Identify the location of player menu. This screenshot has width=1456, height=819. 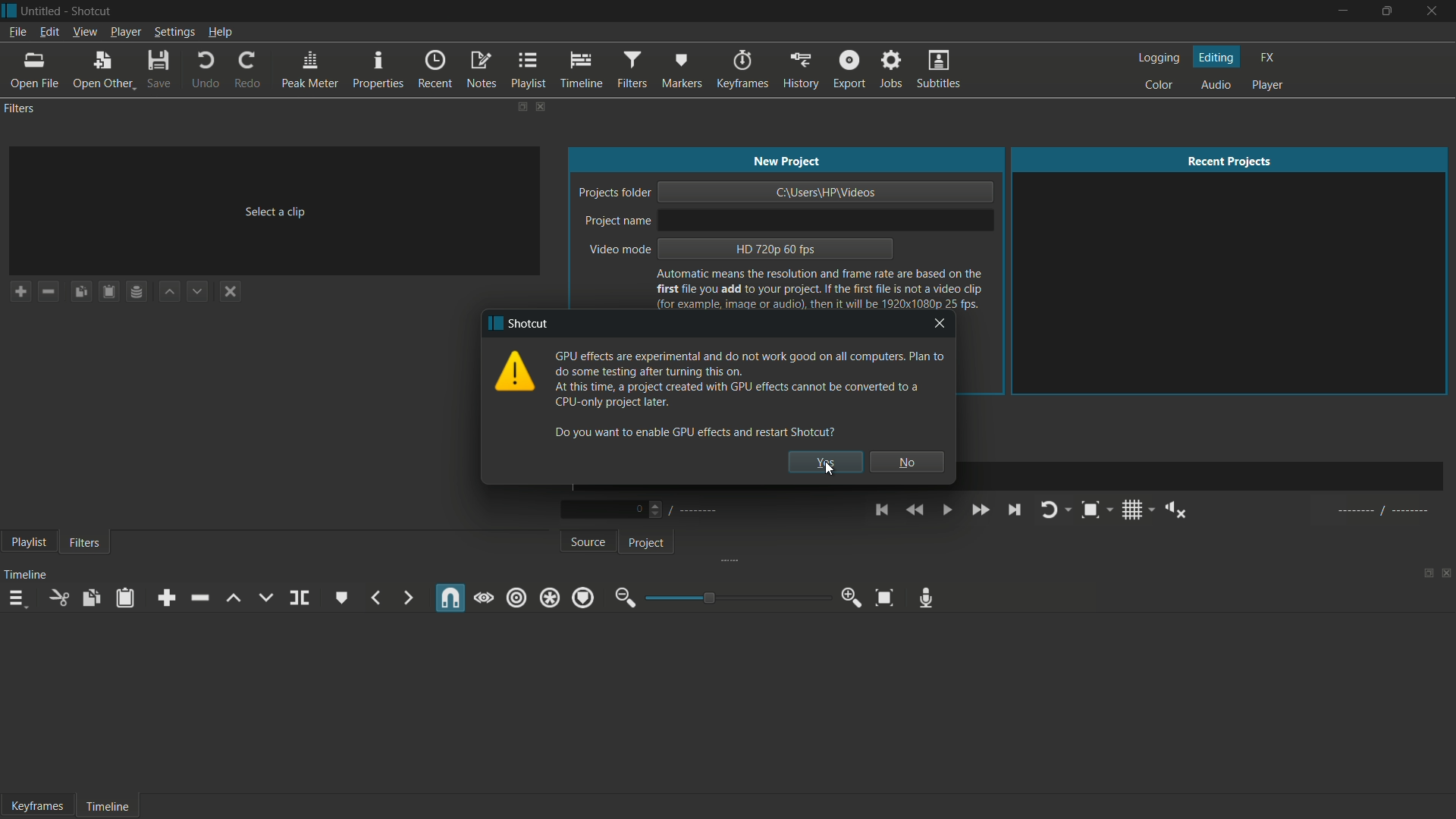
(124, 33).